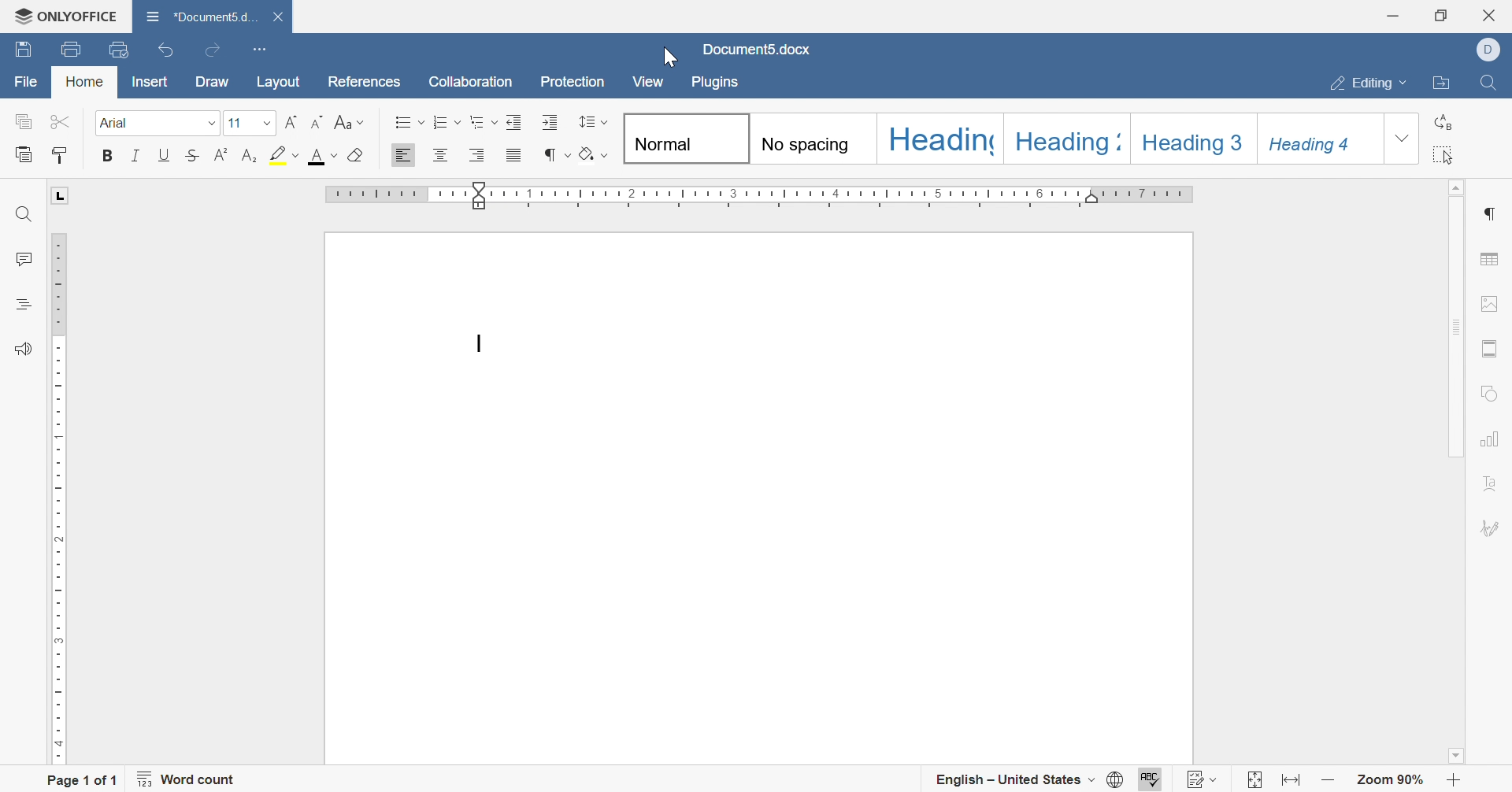 The height and width of the screenshot is (792, 1512). I want to click on spell checking, so click(1155, 779).